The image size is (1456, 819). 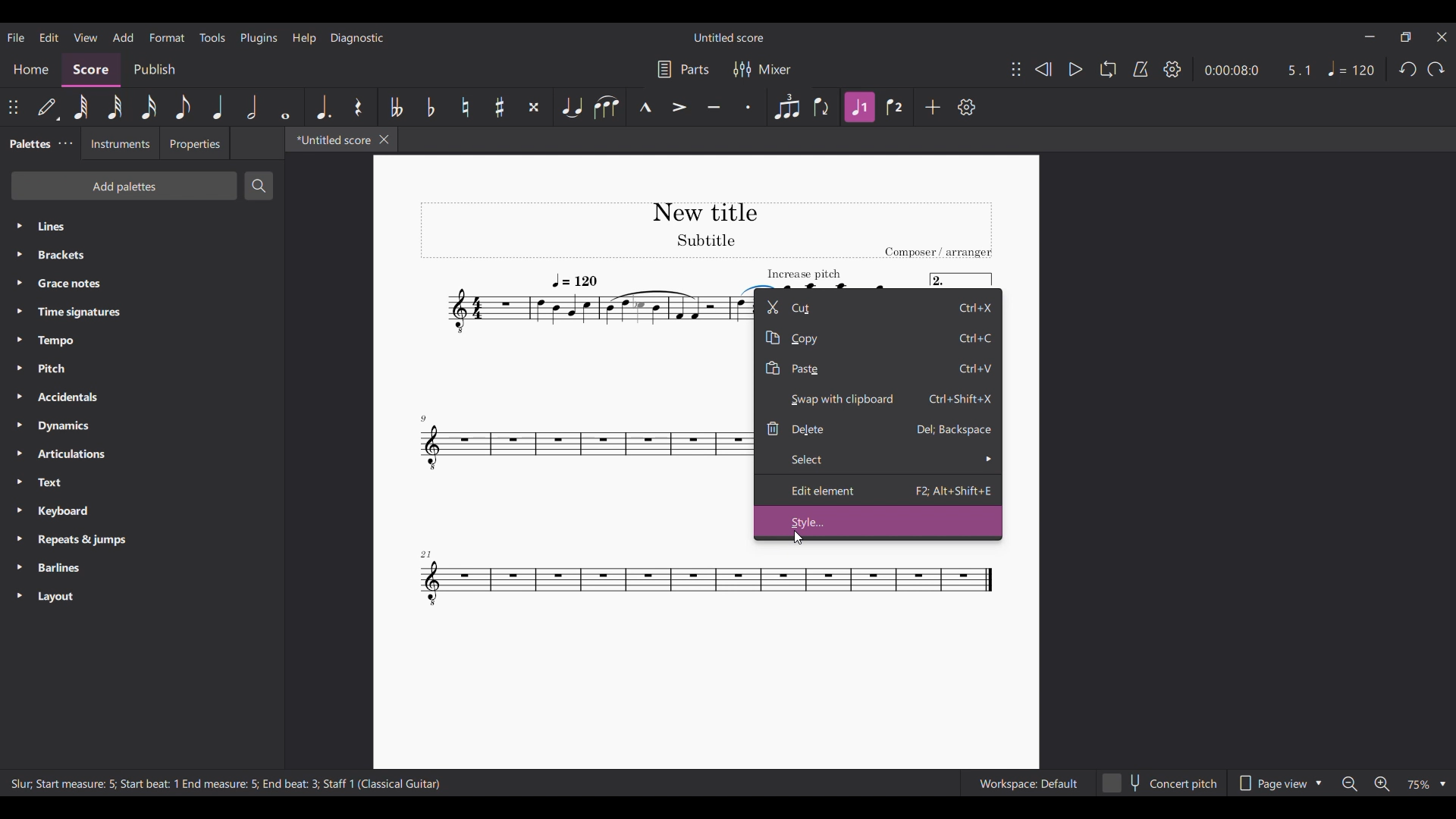 What do you see at coordinates (679, 107) in the screenshot?
I see `Accent` at bounding box center [679, 107].